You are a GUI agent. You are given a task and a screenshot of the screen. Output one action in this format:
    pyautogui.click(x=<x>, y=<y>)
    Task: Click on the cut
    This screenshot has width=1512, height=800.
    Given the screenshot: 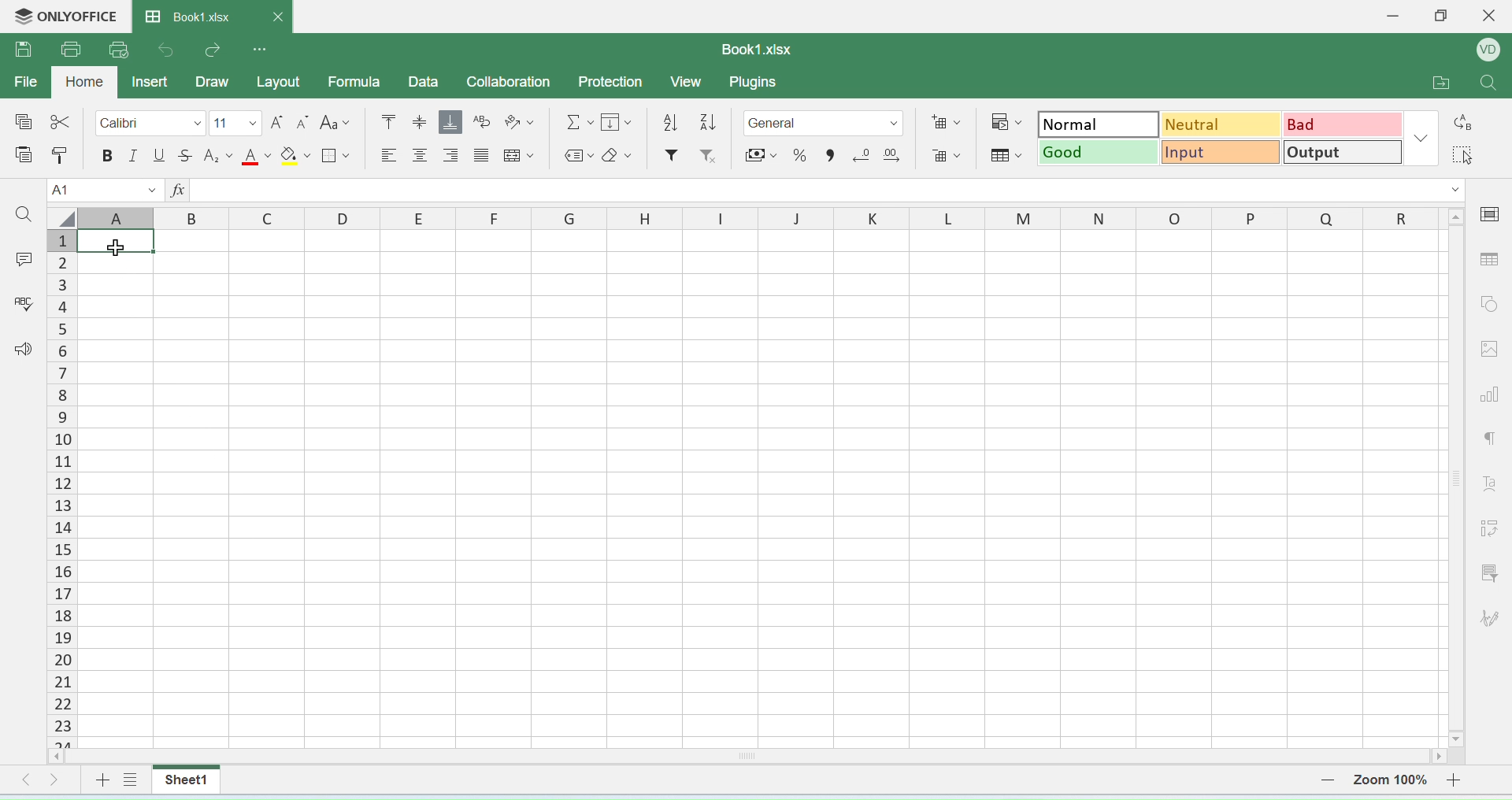 What is the action you would take?
    pyautogui.click(x=59, y=120)
    